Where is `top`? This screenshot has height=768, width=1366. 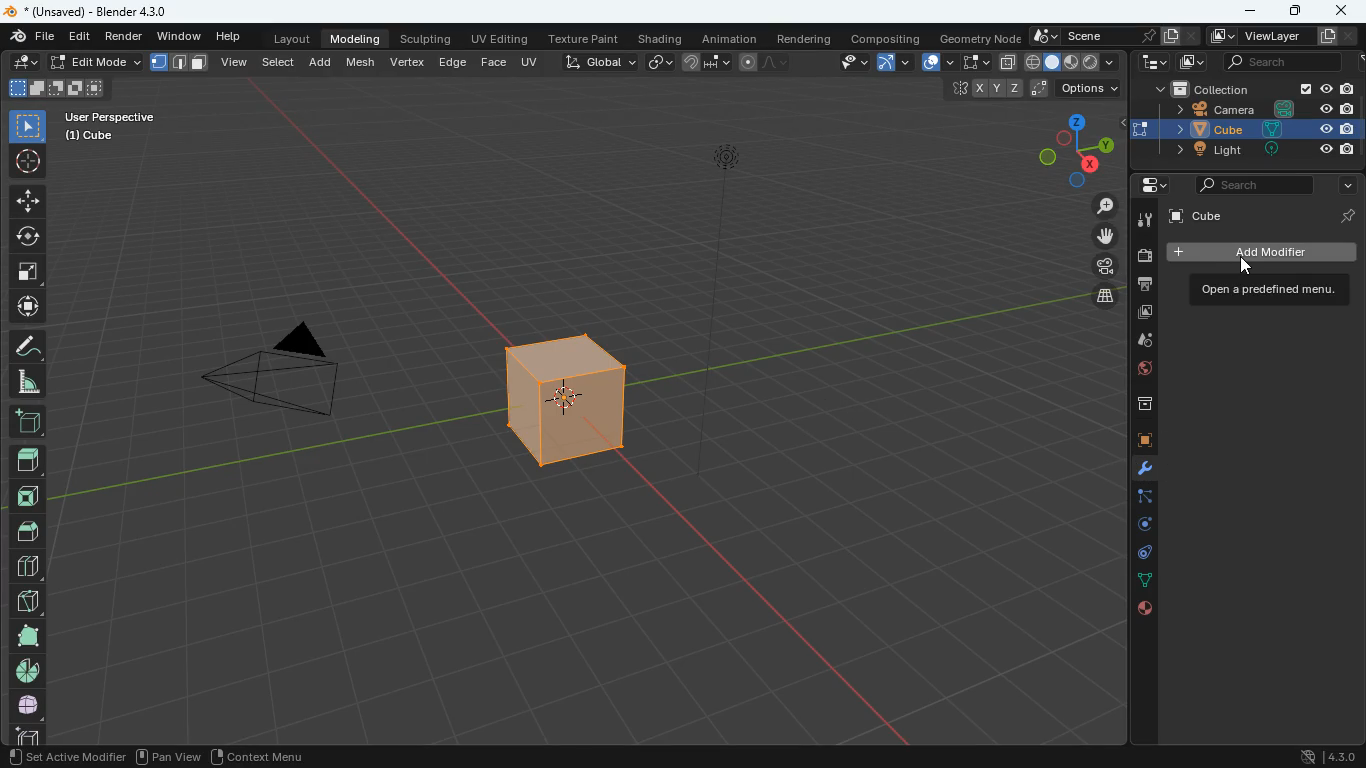
top is located at coordinates (29, 529).